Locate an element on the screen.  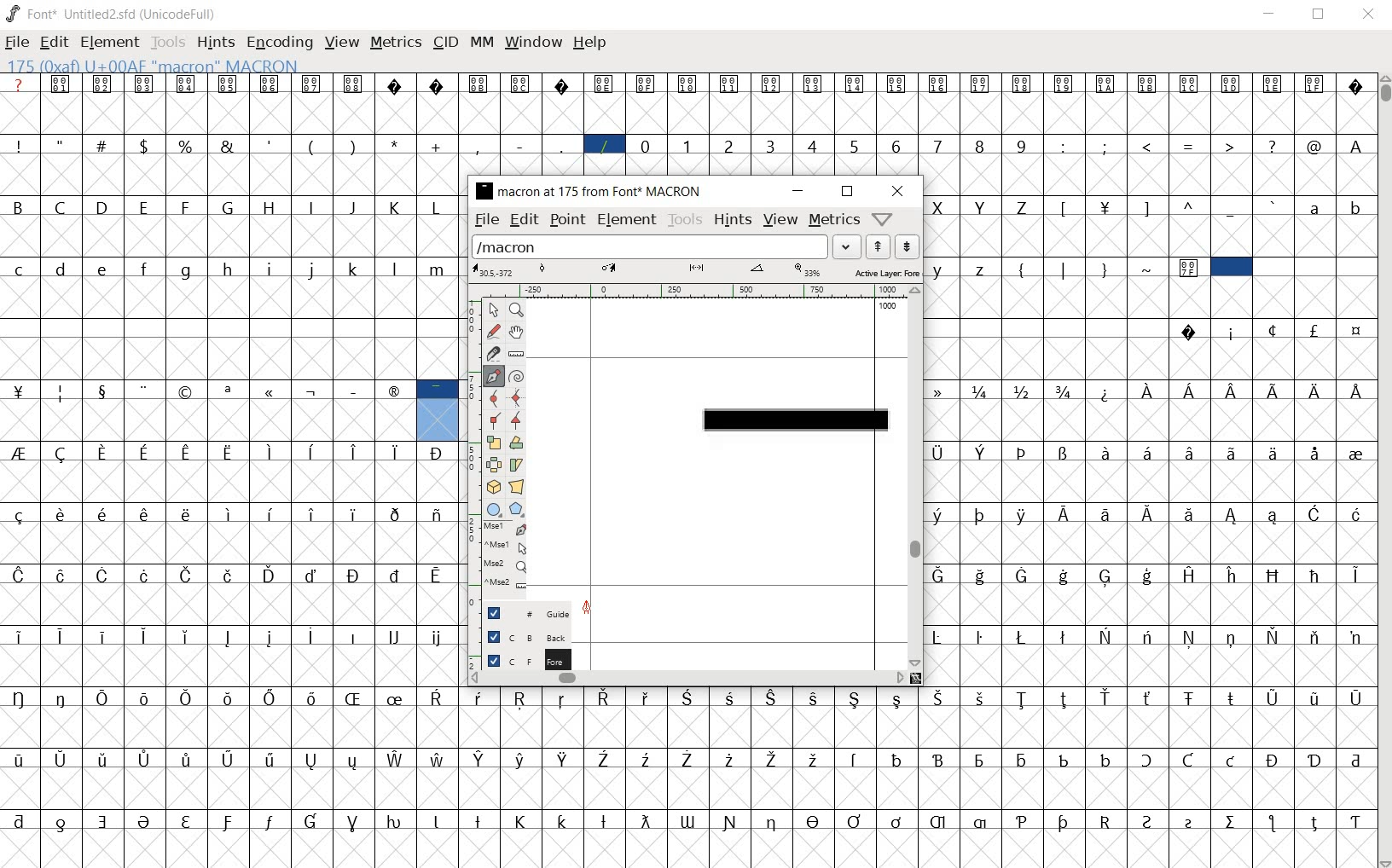
window is located at coordinates (533, 43).